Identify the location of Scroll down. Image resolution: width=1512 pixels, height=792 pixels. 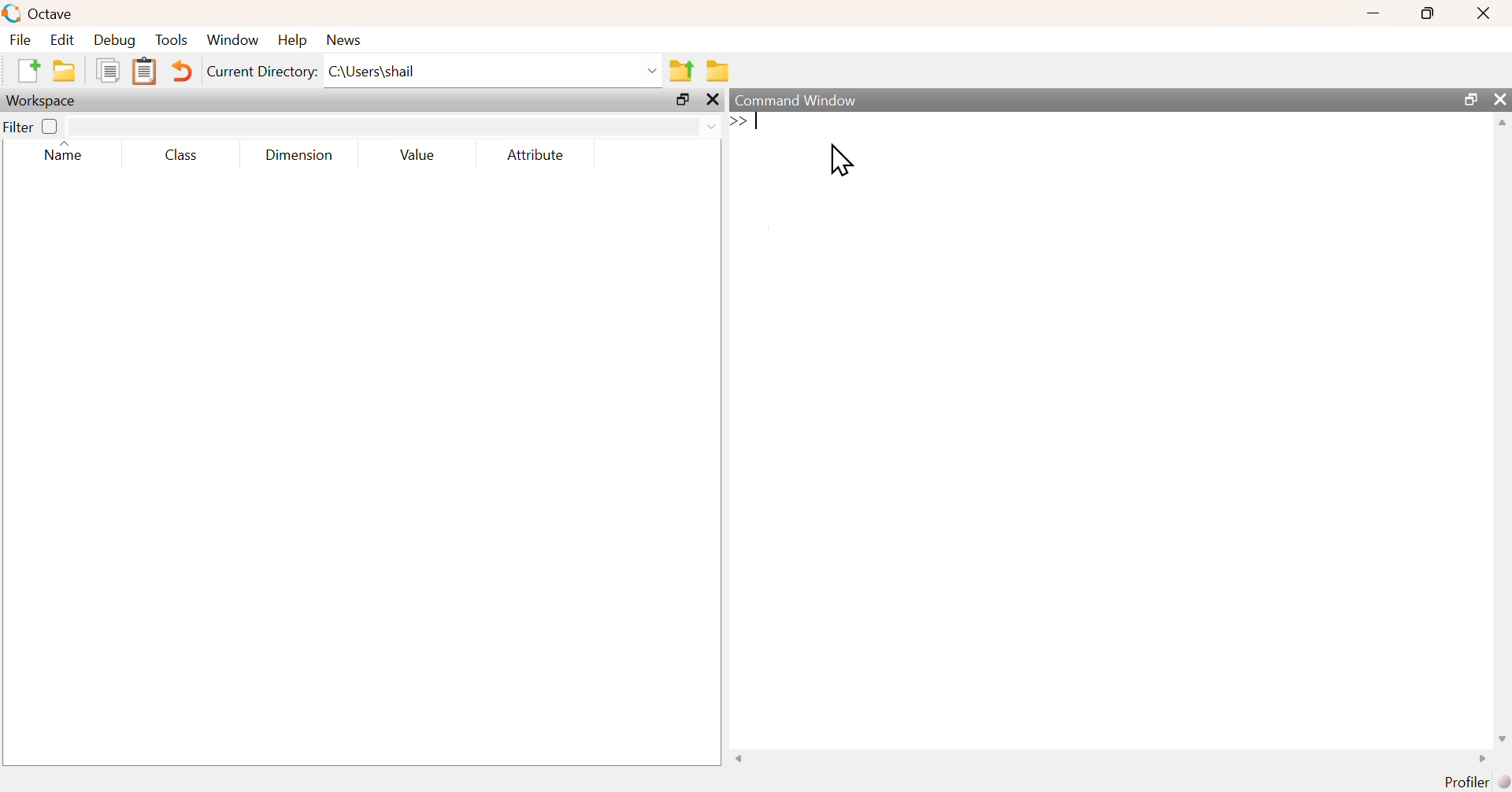
(1500, 739).